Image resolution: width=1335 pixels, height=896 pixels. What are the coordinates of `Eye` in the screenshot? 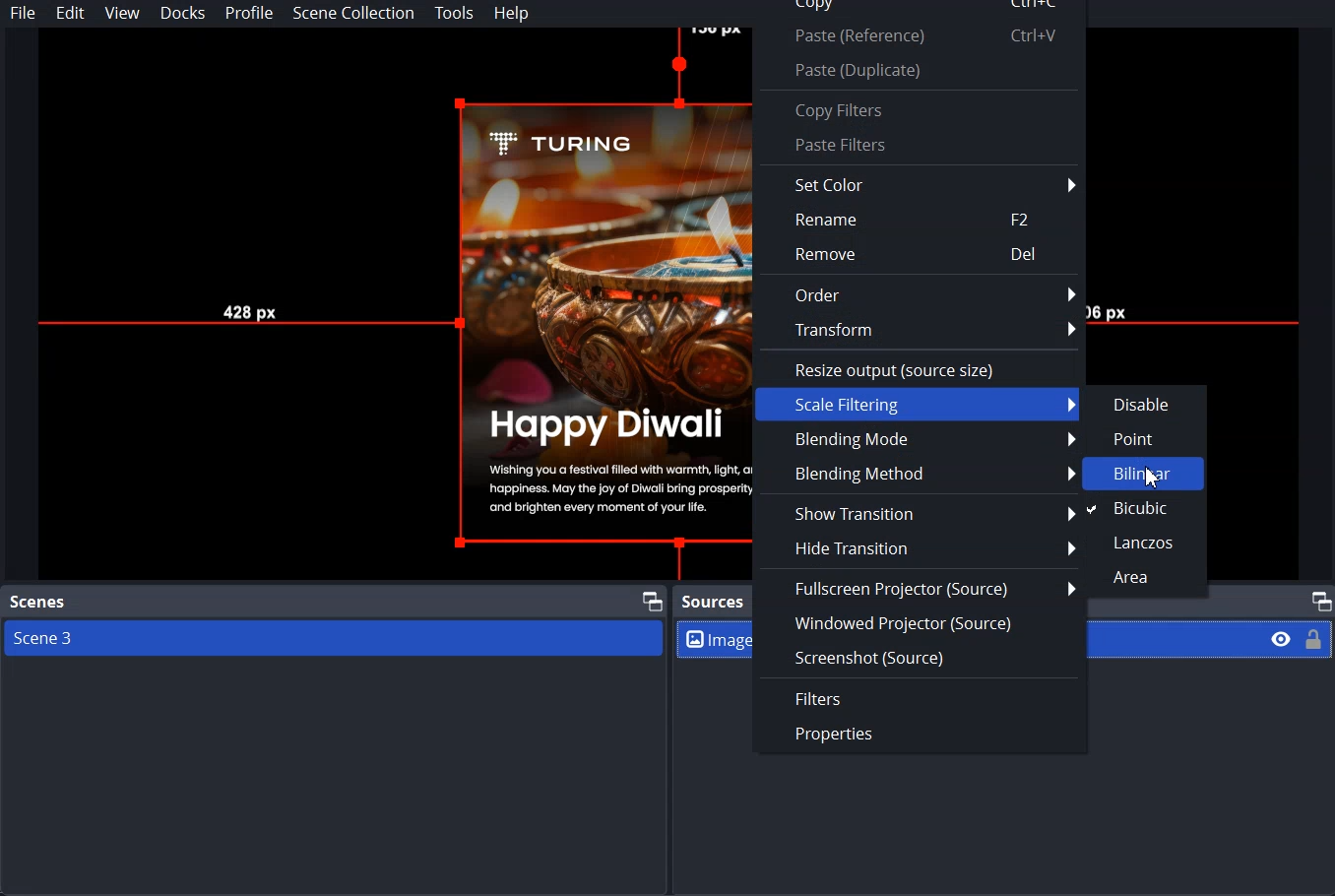 It's located at (1282, 638).